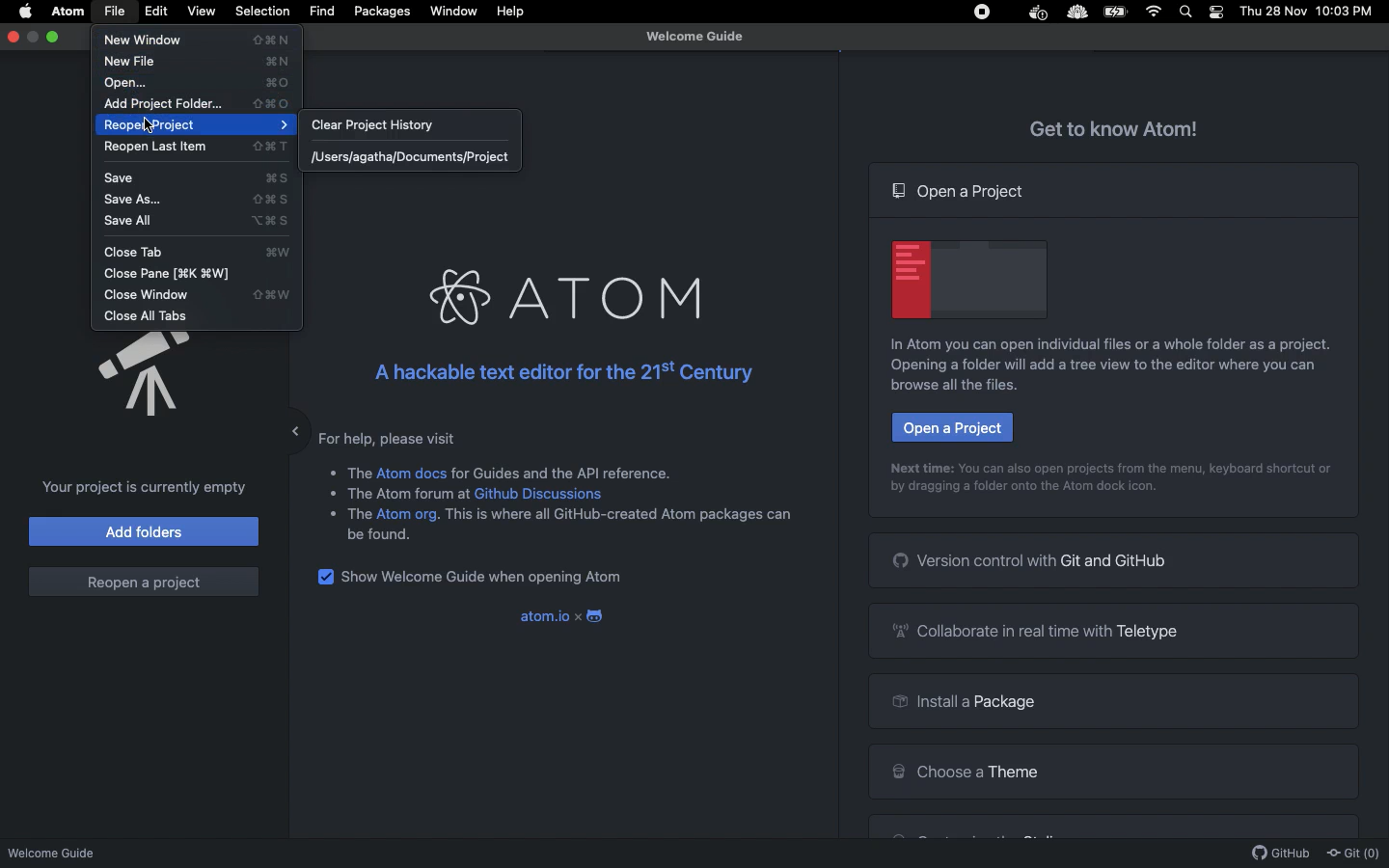  Describe the element at coordinates (1100, 344) in the screenshot. I see `Instructional text` at that location.